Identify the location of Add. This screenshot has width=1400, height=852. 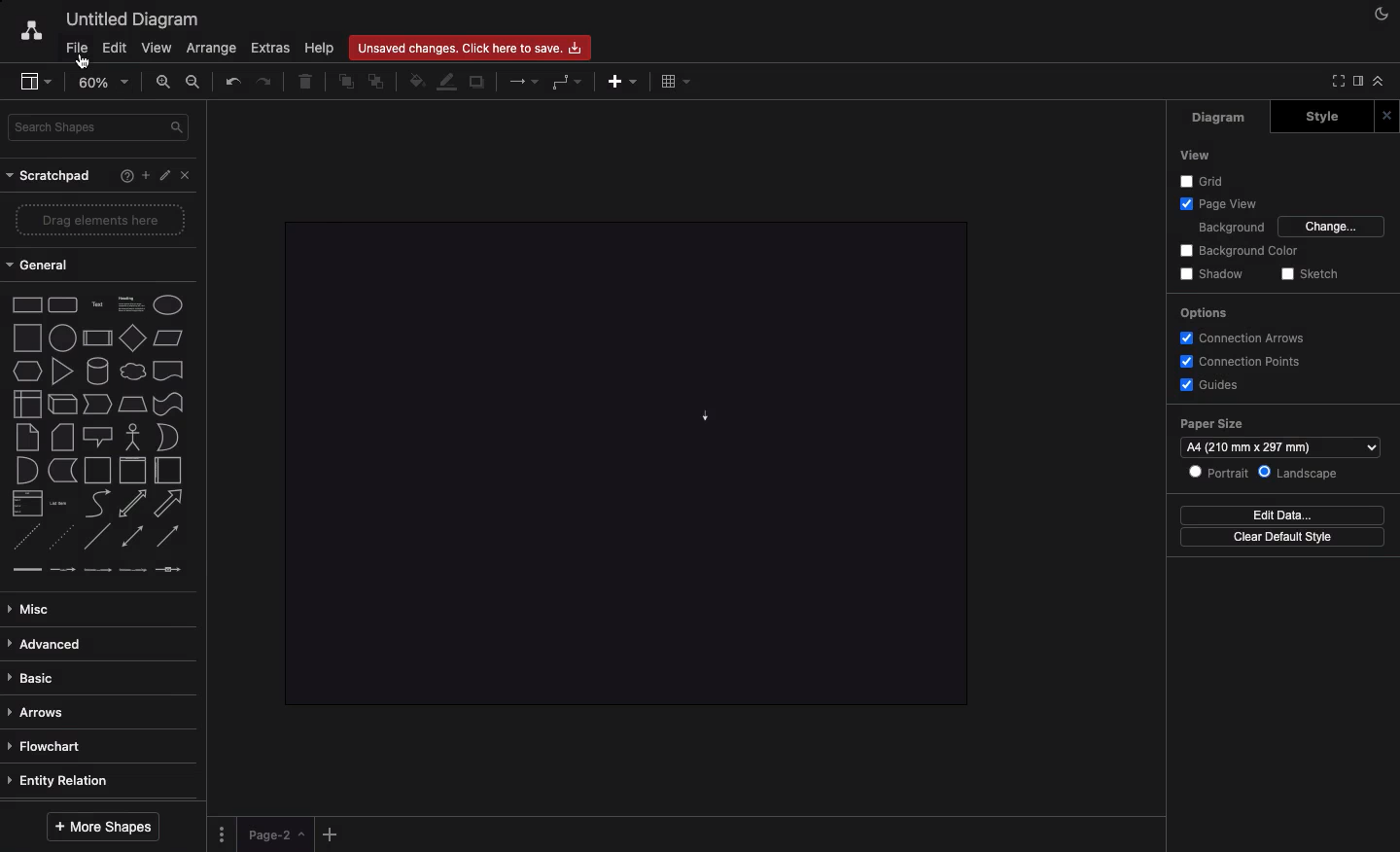
(332, 831).